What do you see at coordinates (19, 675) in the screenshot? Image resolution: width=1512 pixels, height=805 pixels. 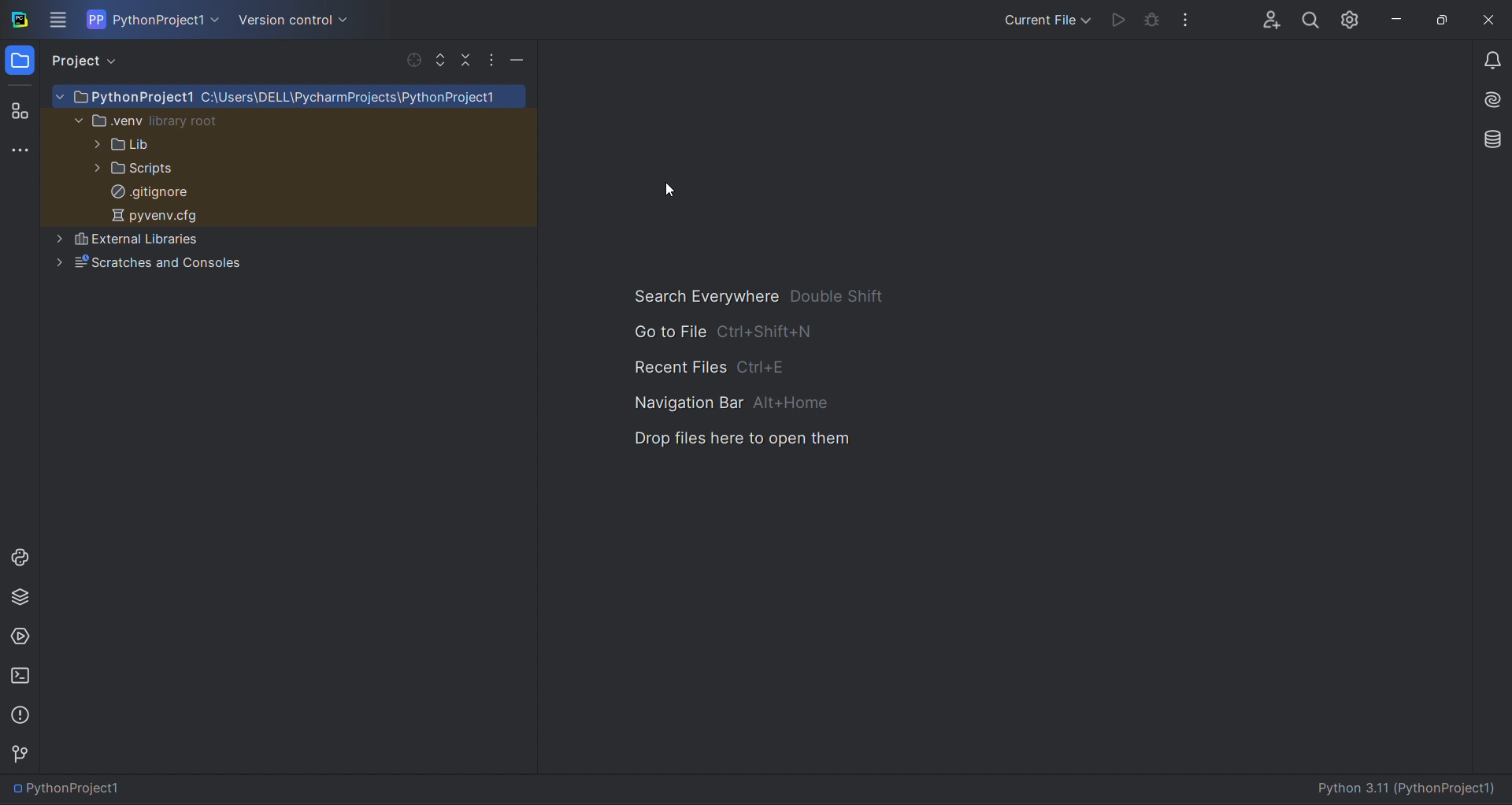 I see `terminal` at bounding box center [19, 675].